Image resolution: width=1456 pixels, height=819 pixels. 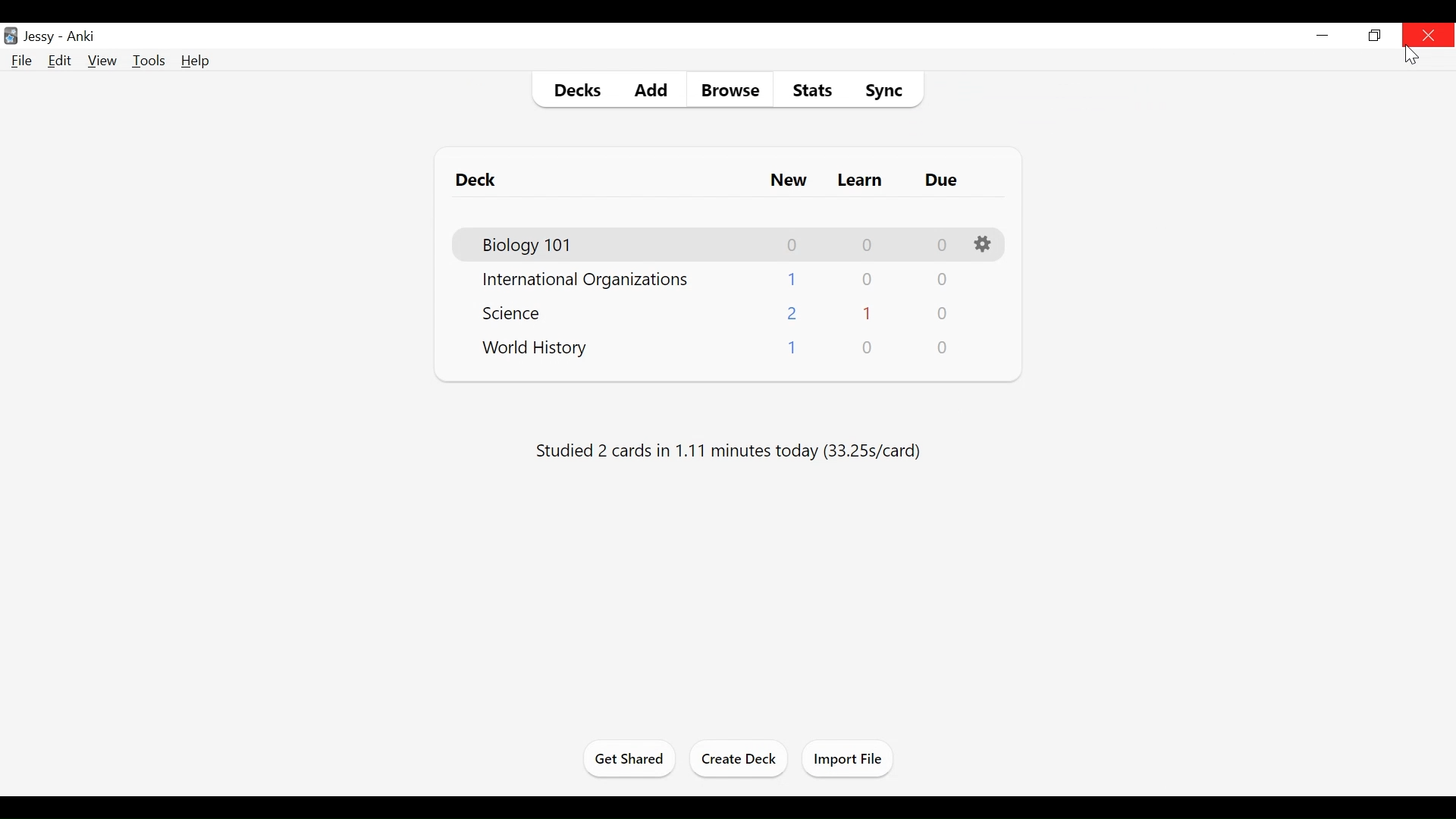 What do you see at coordinates (940, 180) in the screenshot?
I see `Due Cards` at bounding box center [940, 180].